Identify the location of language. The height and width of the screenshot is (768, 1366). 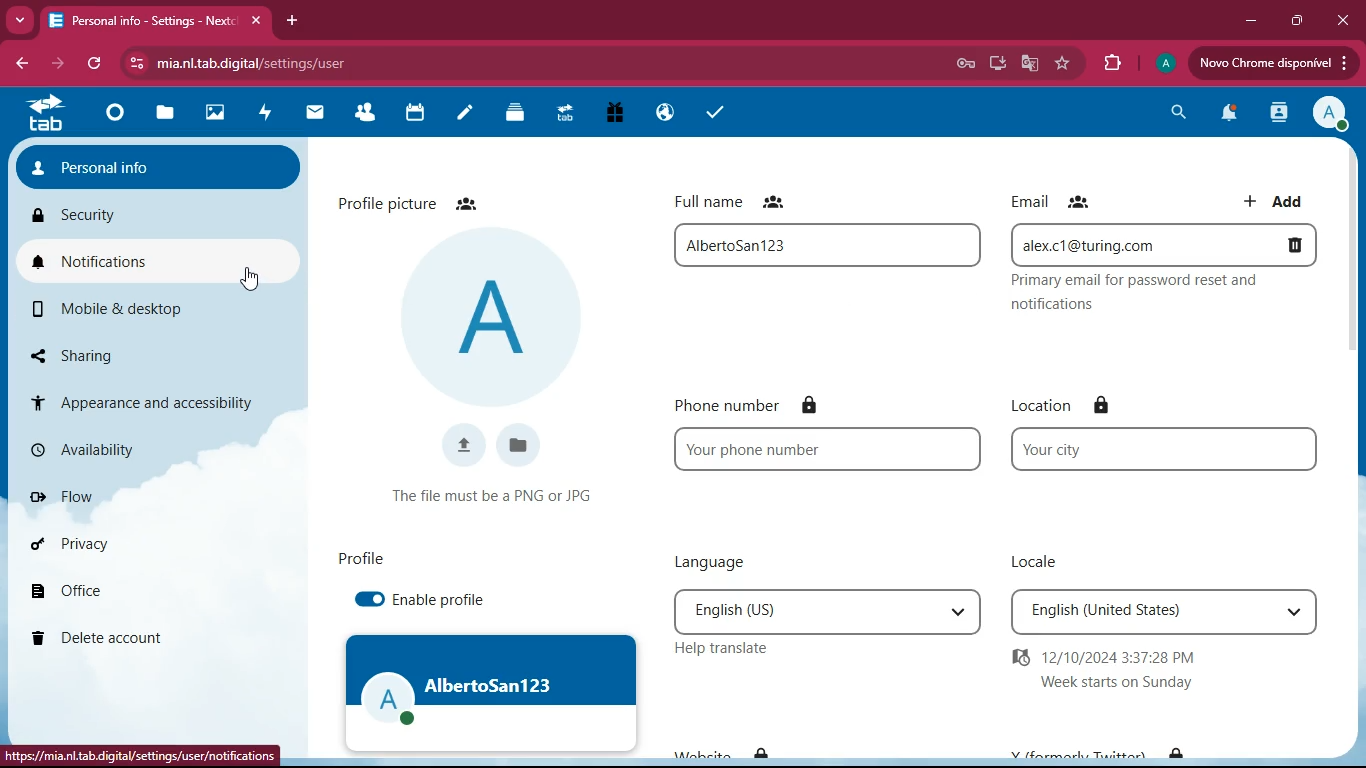
(827, 612).